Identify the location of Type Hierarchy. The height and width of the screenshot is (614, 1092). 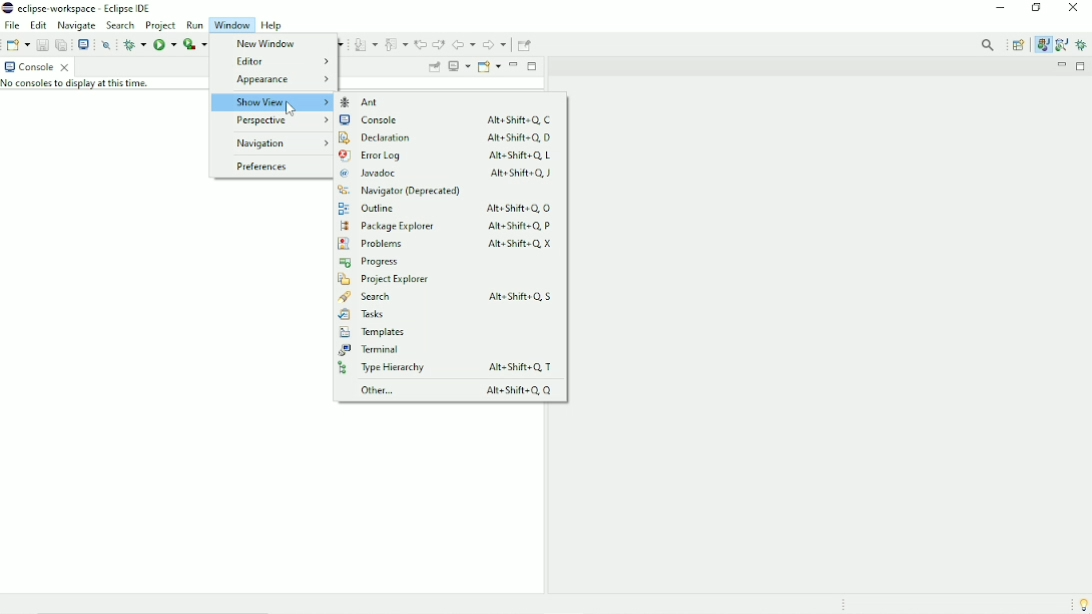
(450, 368).